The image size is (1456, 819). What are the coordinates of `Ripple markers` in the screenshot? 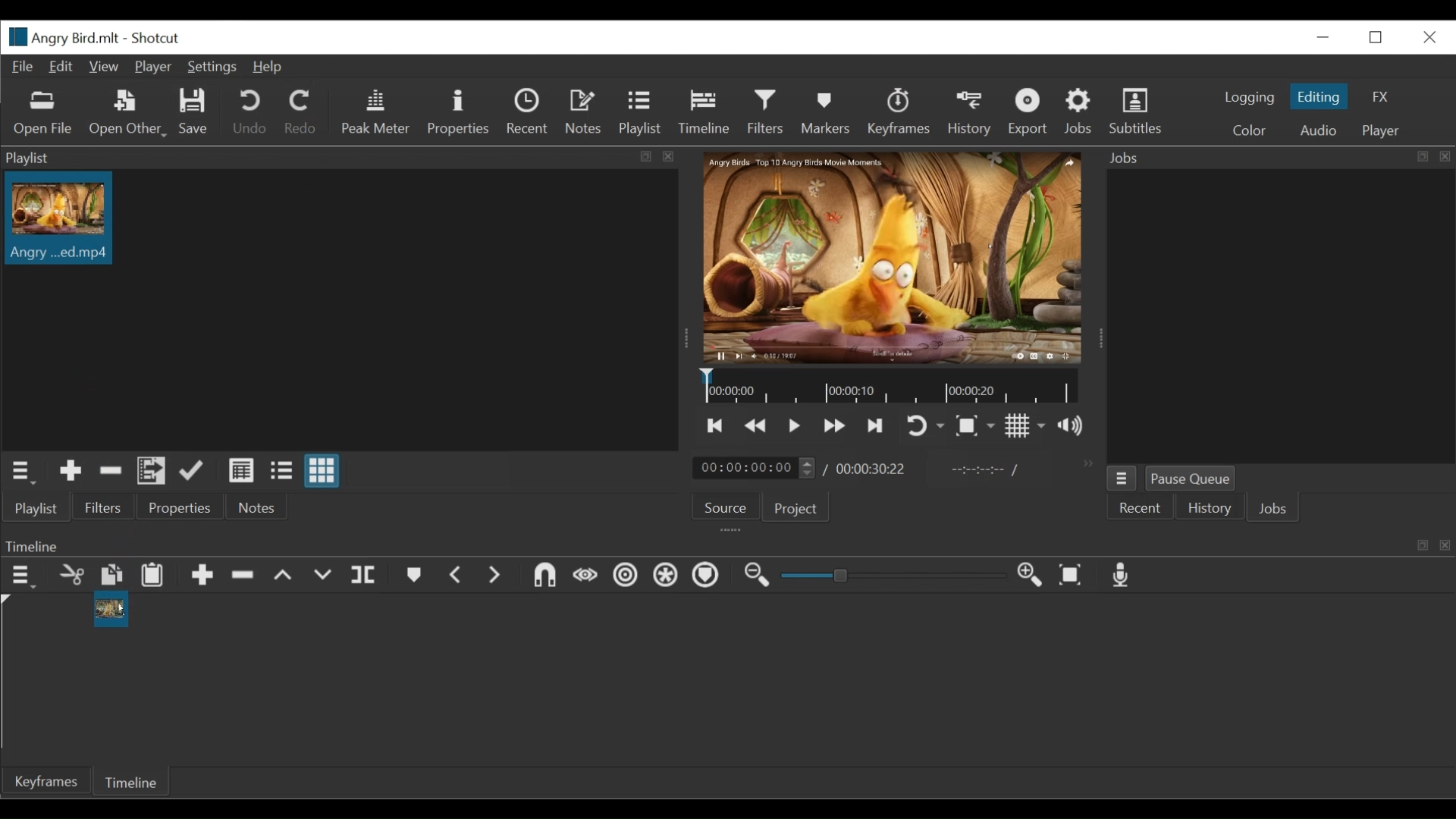 It's located at (708, 576).